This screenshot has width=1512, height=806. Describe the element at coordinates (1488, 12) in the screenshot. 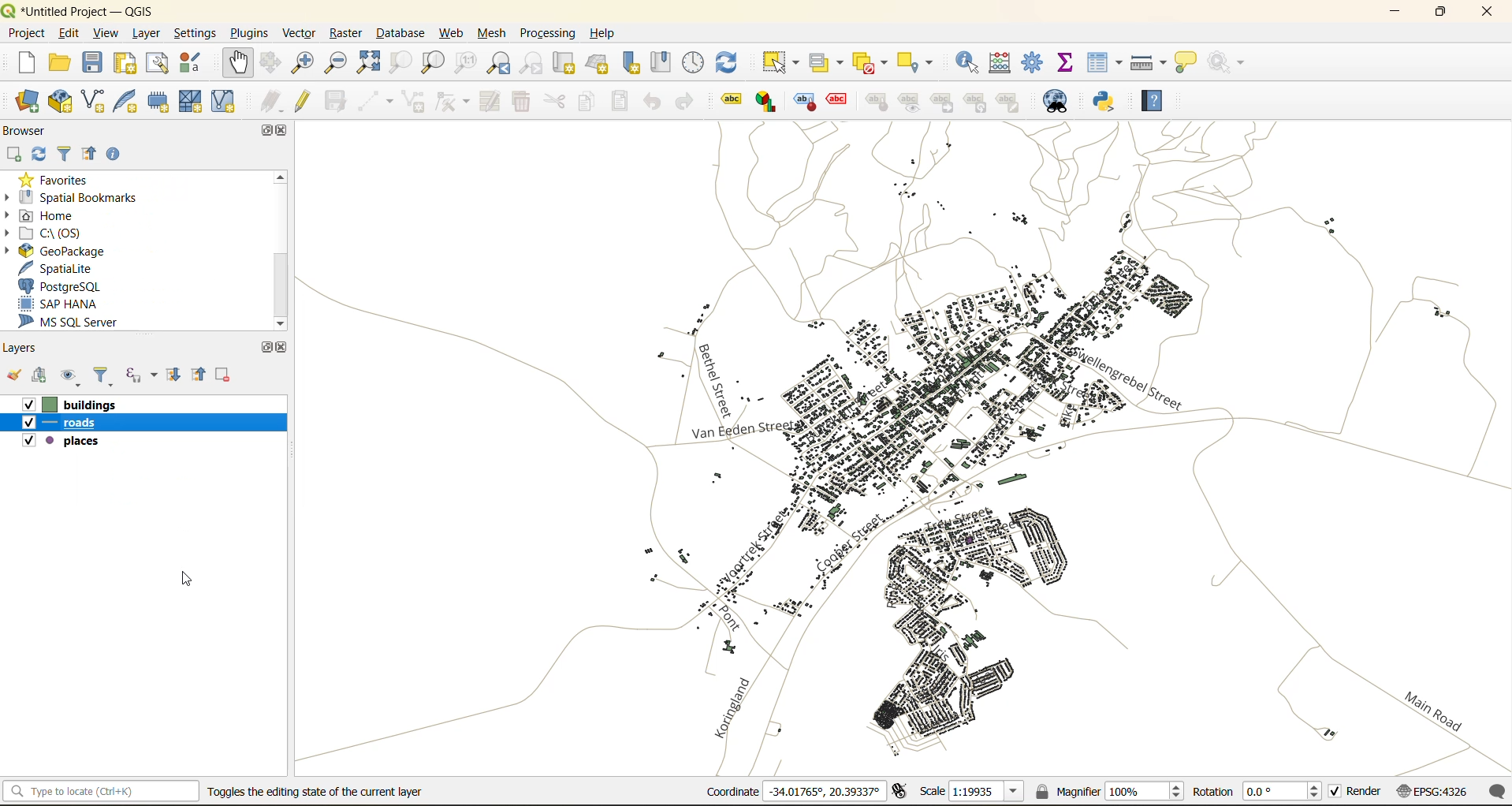

I see `close` at that location.